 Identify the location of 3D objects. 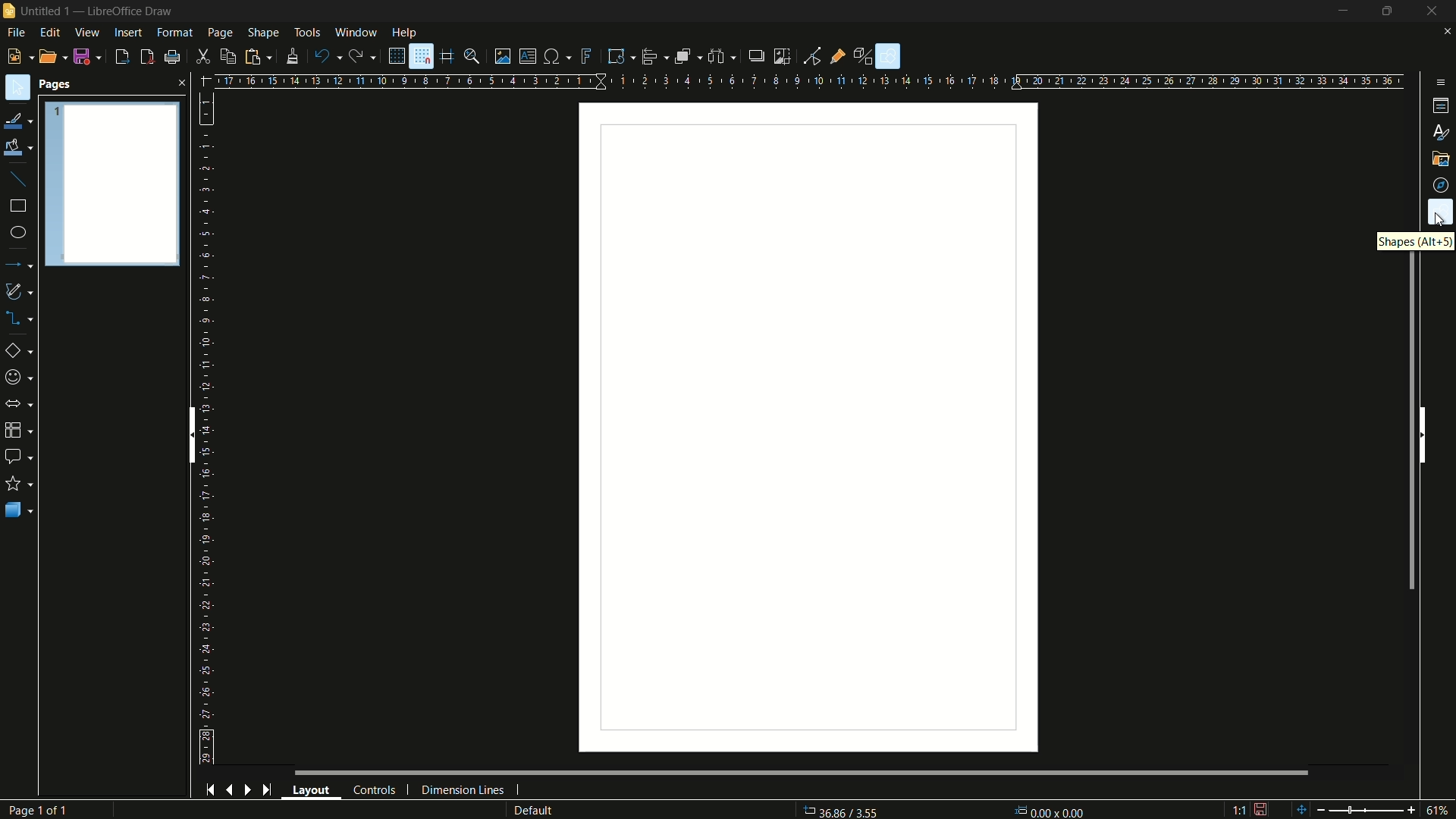
(19, 510).